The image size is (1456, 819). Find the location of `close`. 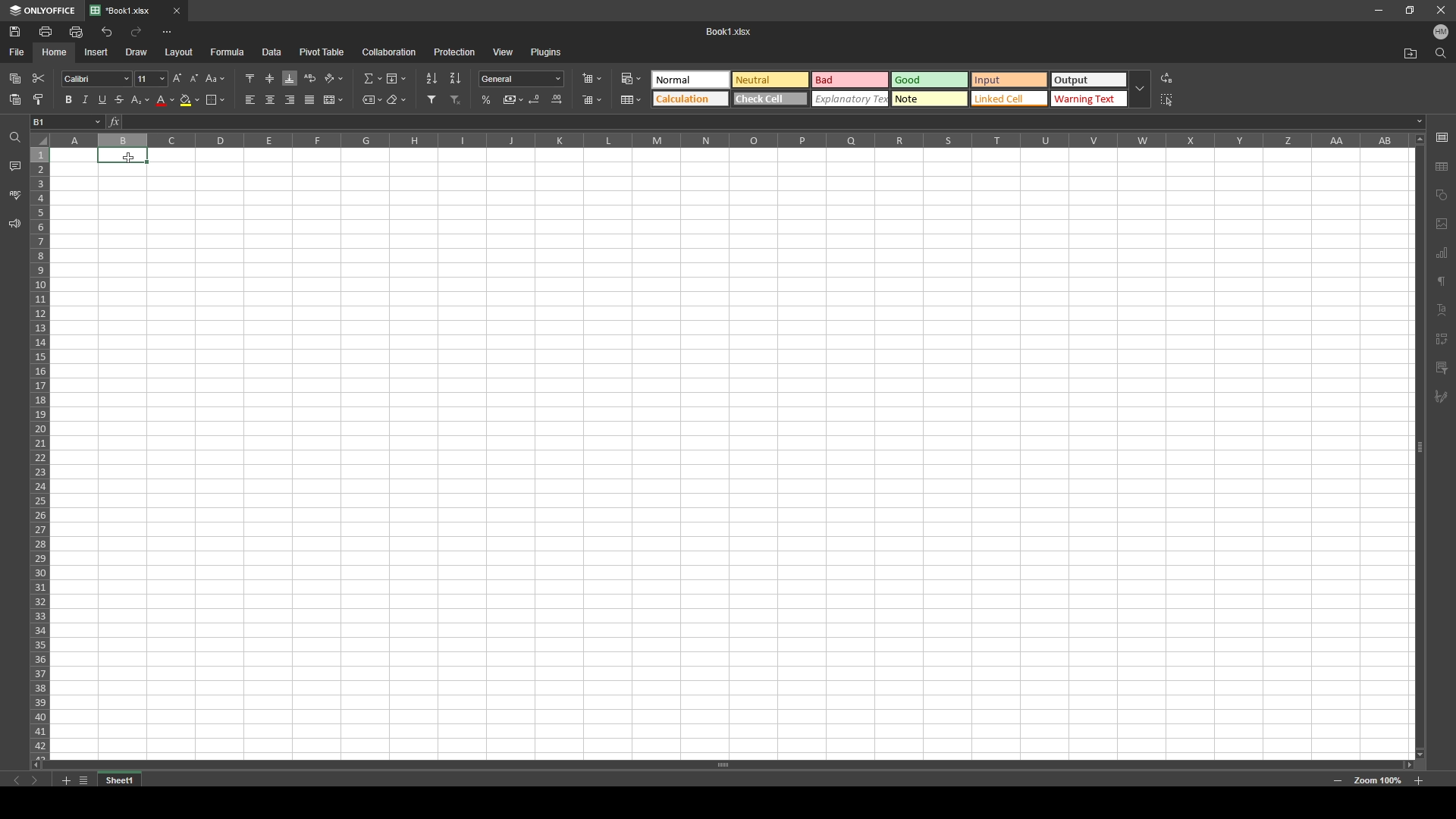

close is located at coordinates (177, 11).